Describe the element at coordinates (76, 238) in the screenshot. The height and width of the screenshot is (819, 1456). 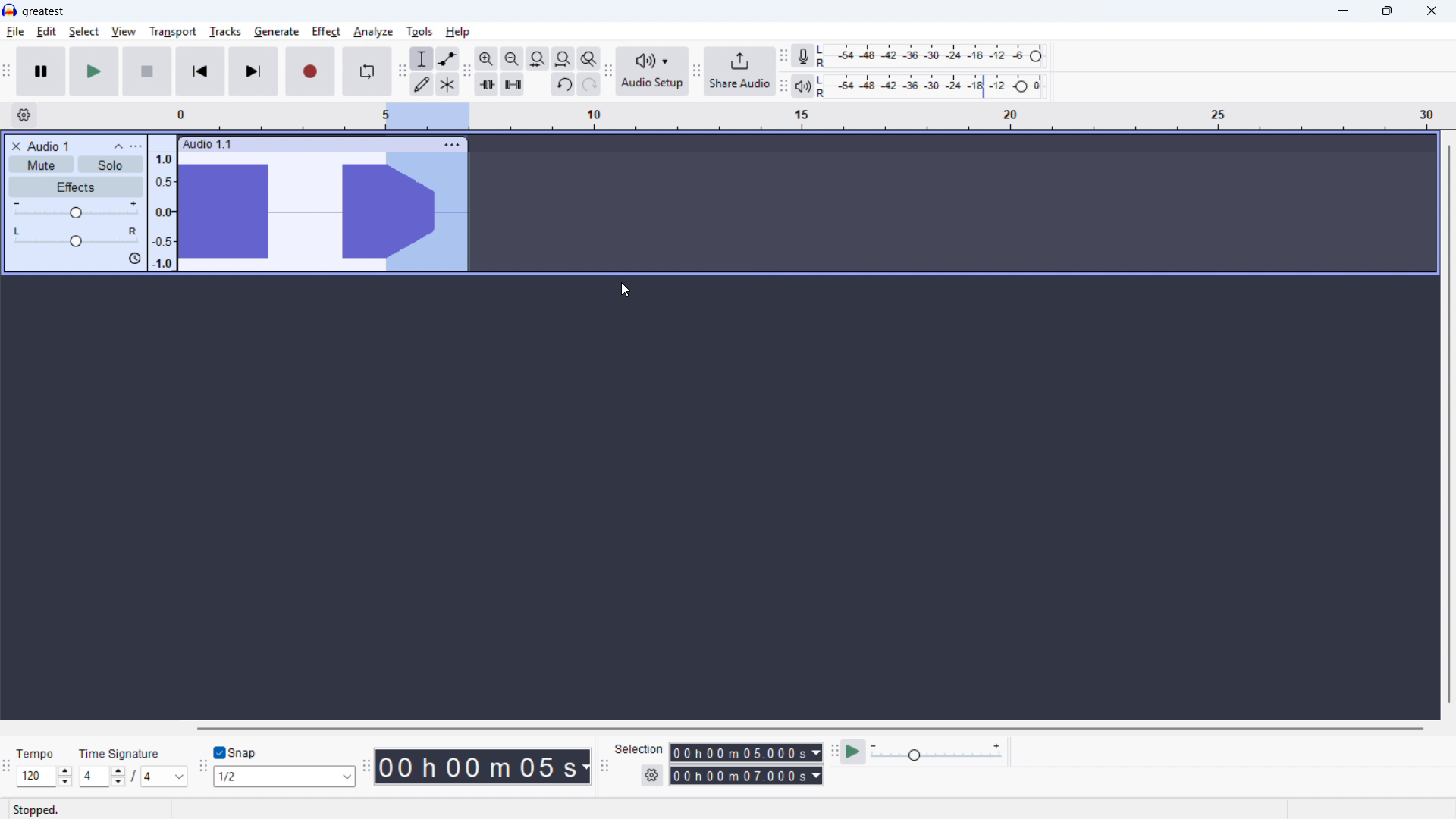
I see `Pan: Centre ` at that location.